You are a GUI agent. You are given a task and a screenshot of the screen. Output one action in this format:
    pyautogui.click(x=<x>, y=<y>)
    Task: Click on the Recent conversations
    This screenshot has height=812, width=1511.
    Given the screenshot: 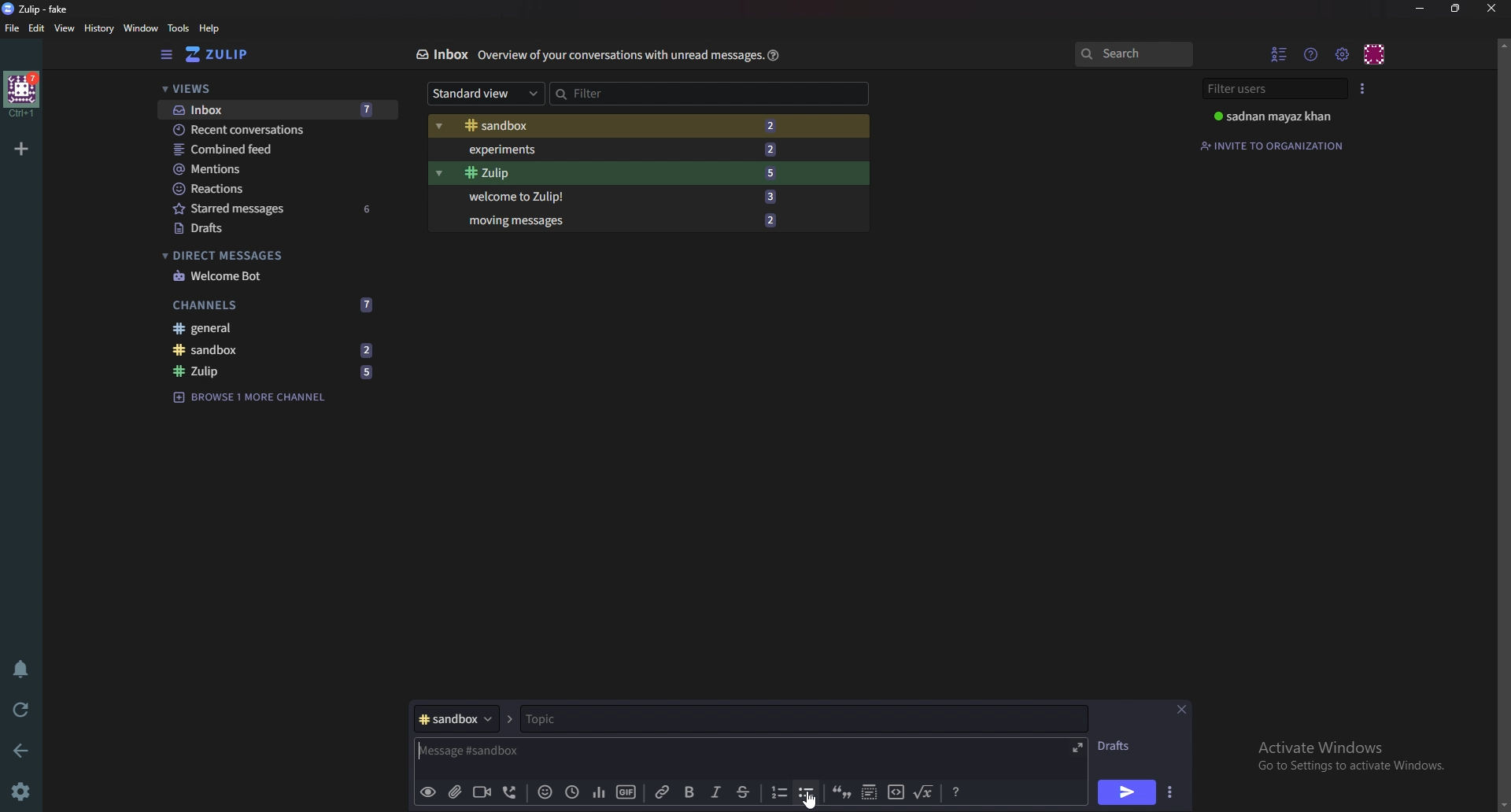 What is the action you would take?
    pyautogui.click(x=279, y=129)
    